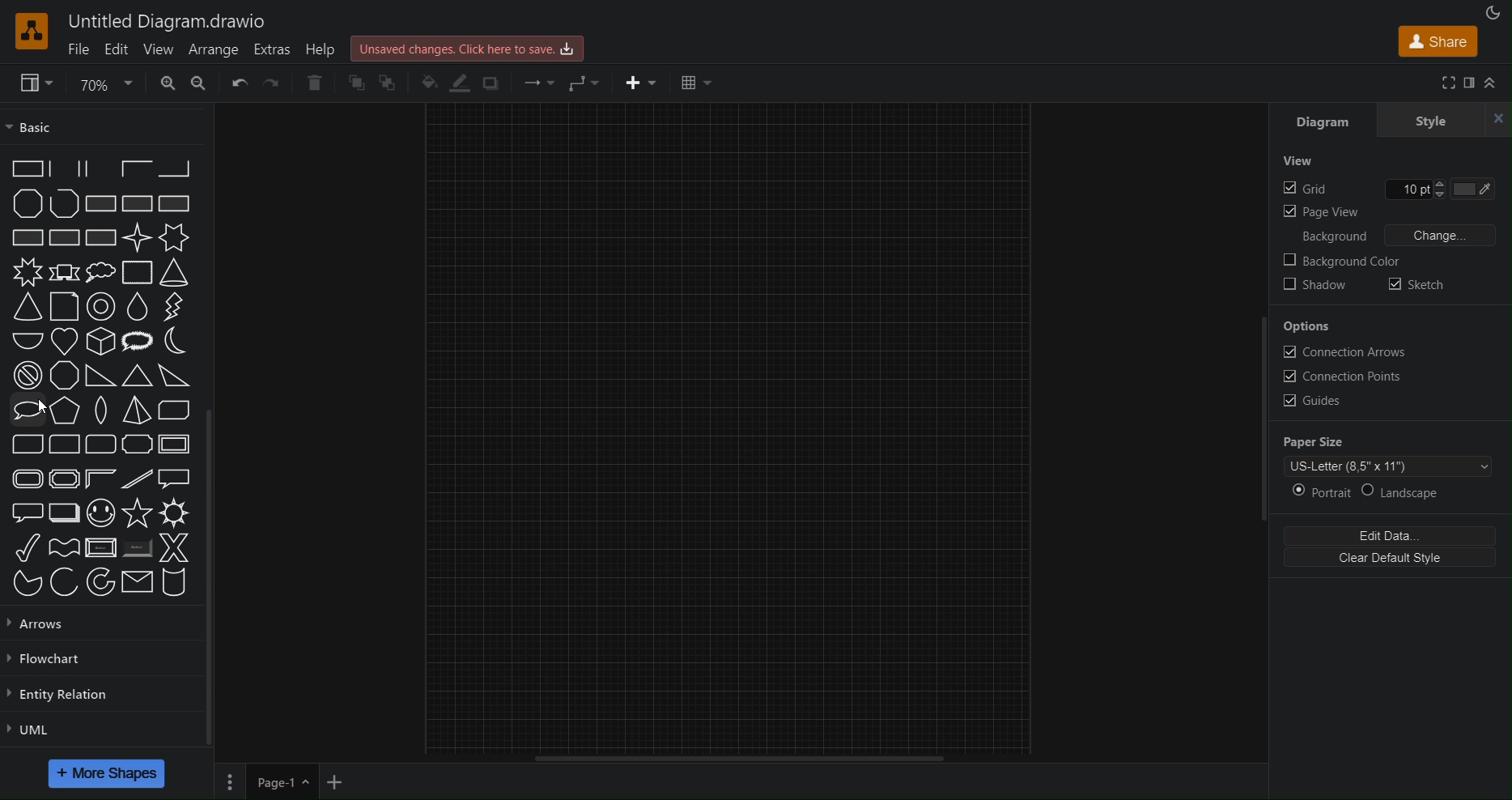  I want to click on Style, so click(1446, 121).